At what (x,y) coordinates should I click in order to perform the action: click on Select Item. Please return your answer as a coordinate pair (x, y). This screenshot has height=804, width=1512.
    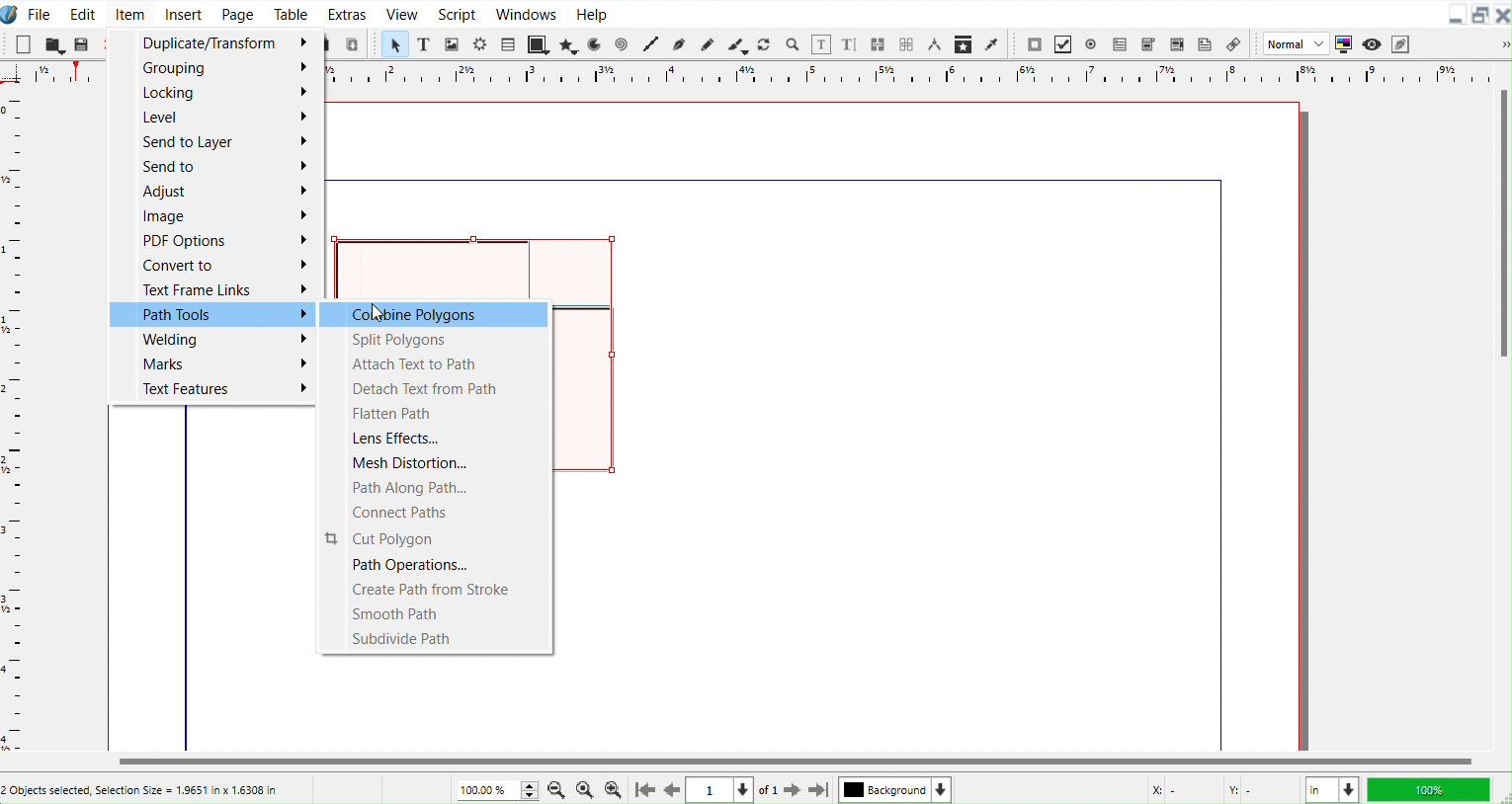
    Looking at the image, I should click on (395, 44).